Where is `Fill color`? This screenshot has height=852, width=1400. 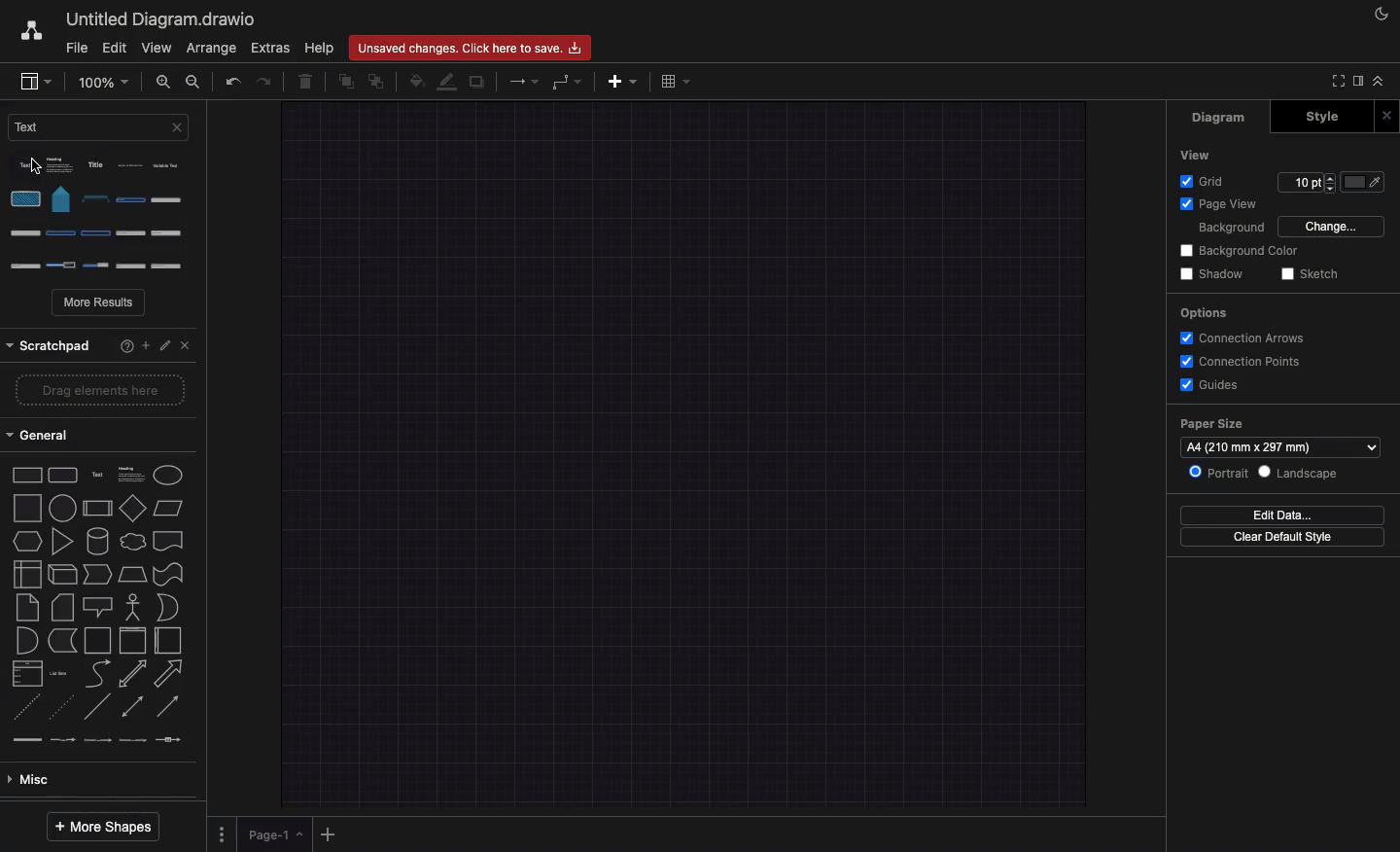 Fill color is located at coordinates (417, 81).